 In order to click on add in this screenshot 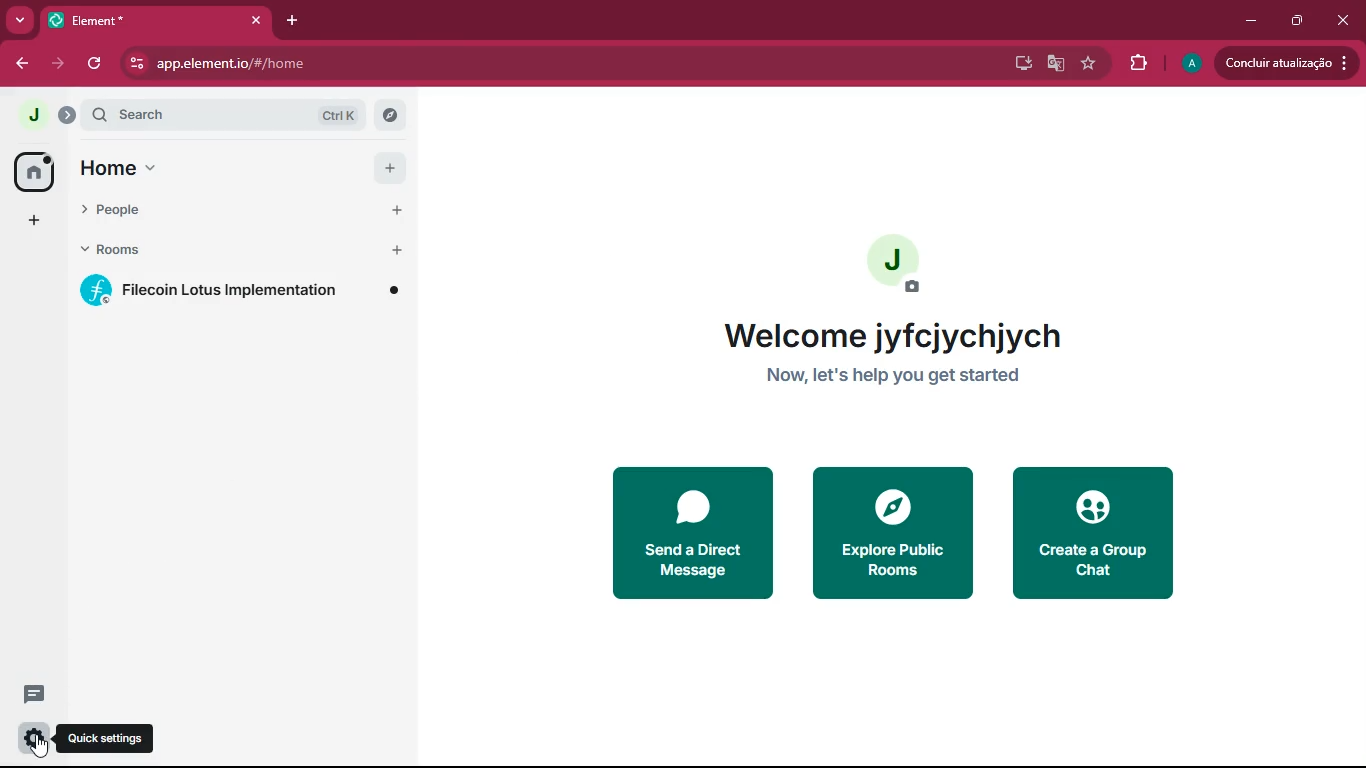, I will do `click(30, 223)`.